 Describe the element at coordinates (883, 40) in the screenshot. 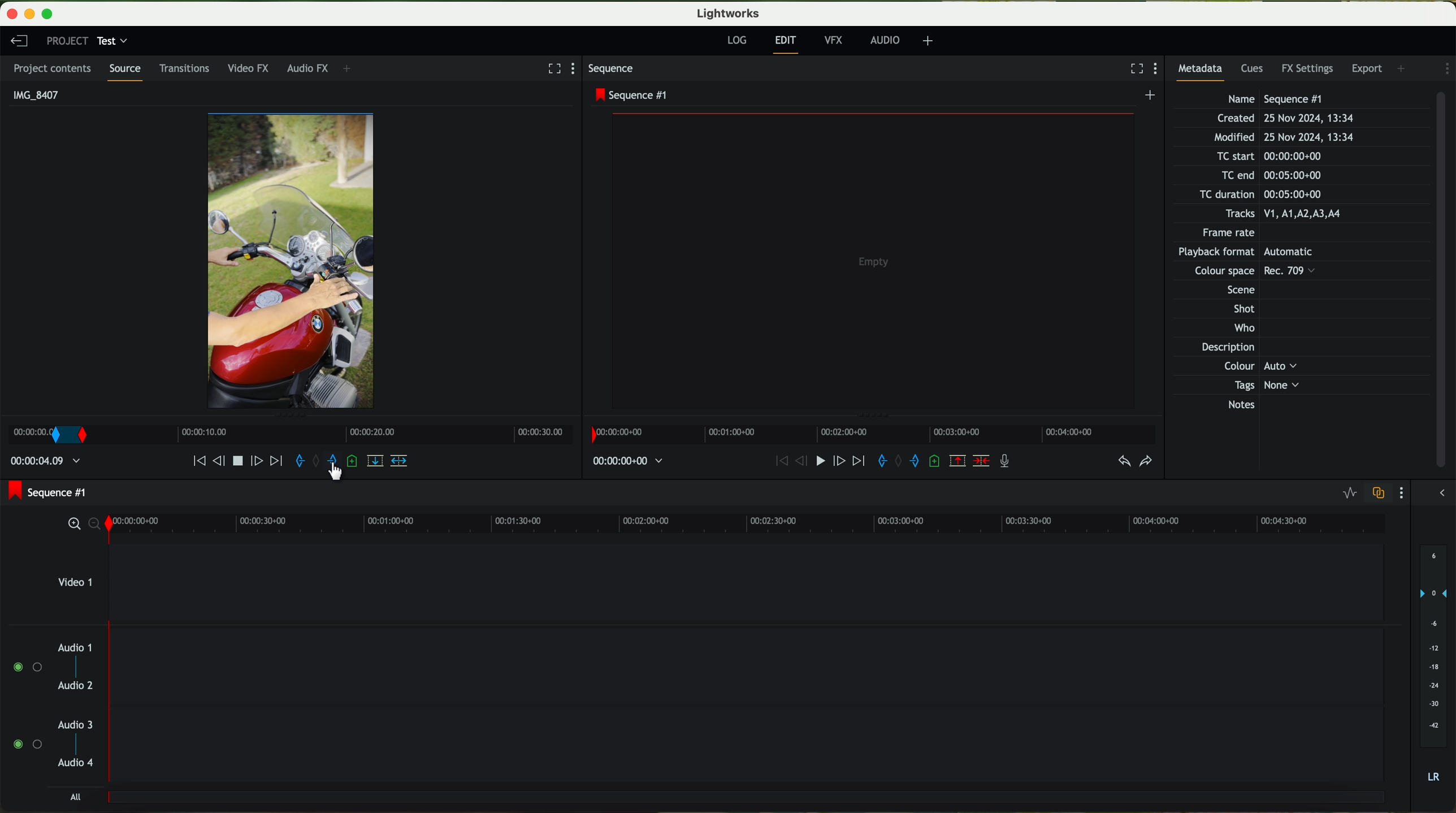

I see `AUDIO` at that location.